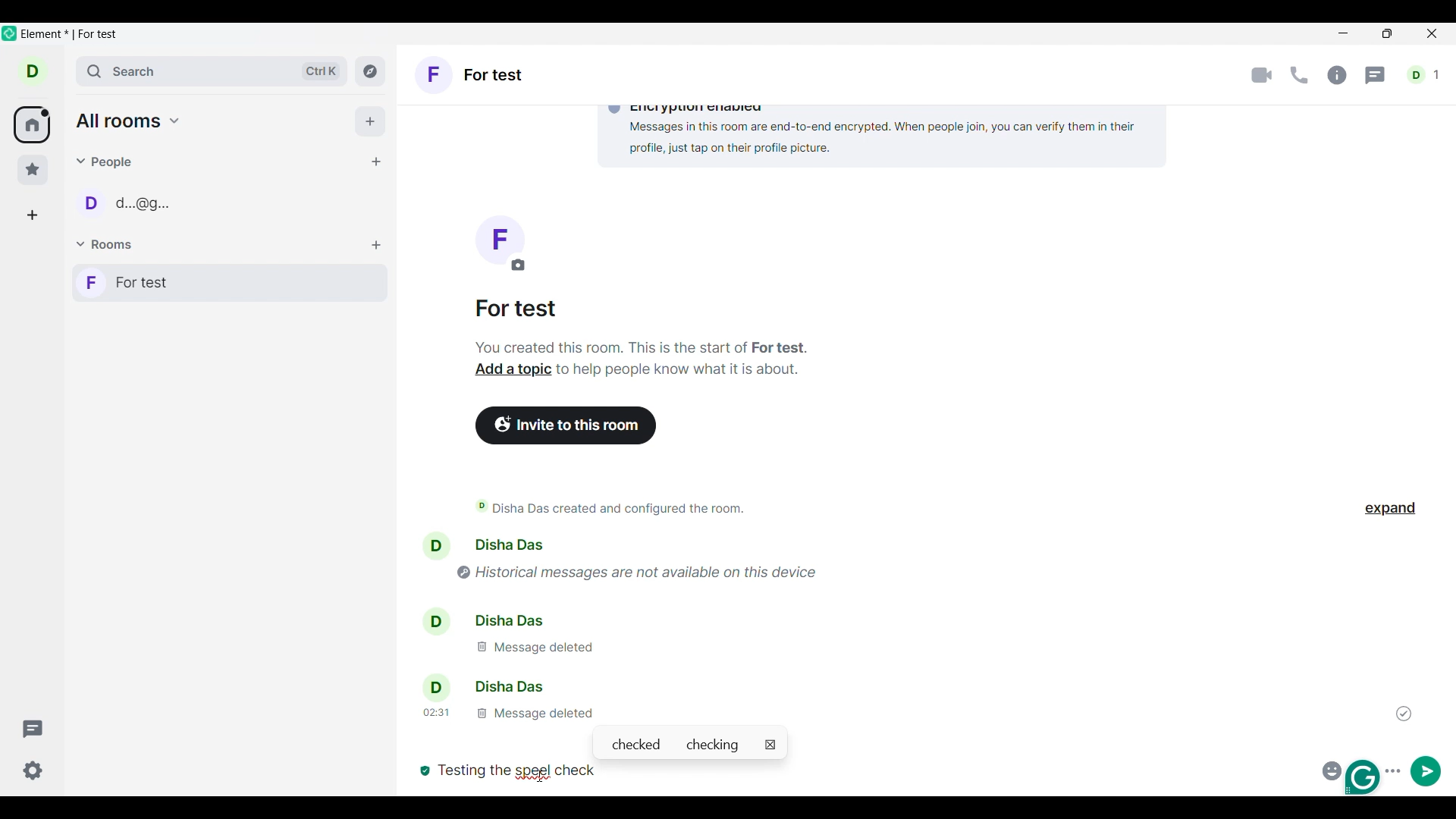 This screenshot has height=819, width=1456. What do you see at coordinates (107, 245) in the screenshot?
I see `Rooms` at bounding box center [107, 245].